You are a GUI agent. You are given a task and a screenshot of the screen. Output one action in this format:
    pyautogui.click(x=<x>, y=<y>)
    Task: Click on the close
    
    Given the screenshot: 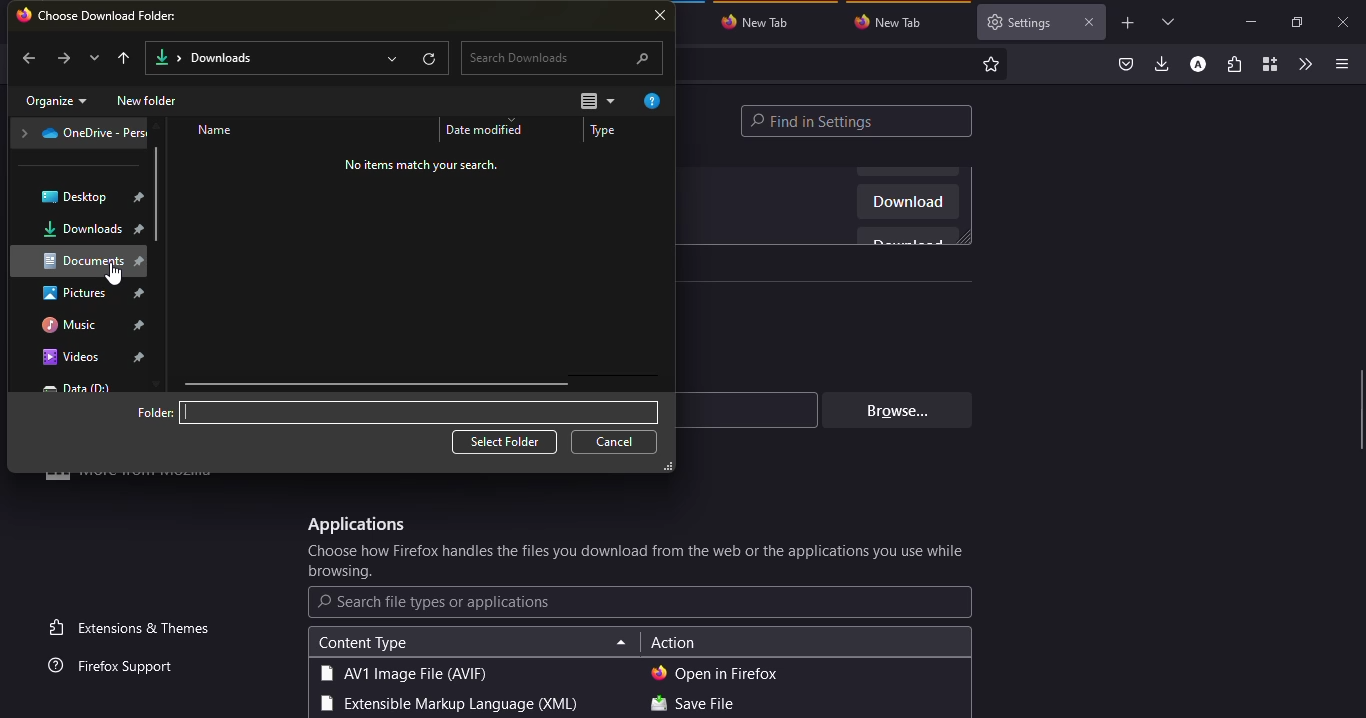 What is the action you would take?
    pyautogui.click(x=662, y=17)
    